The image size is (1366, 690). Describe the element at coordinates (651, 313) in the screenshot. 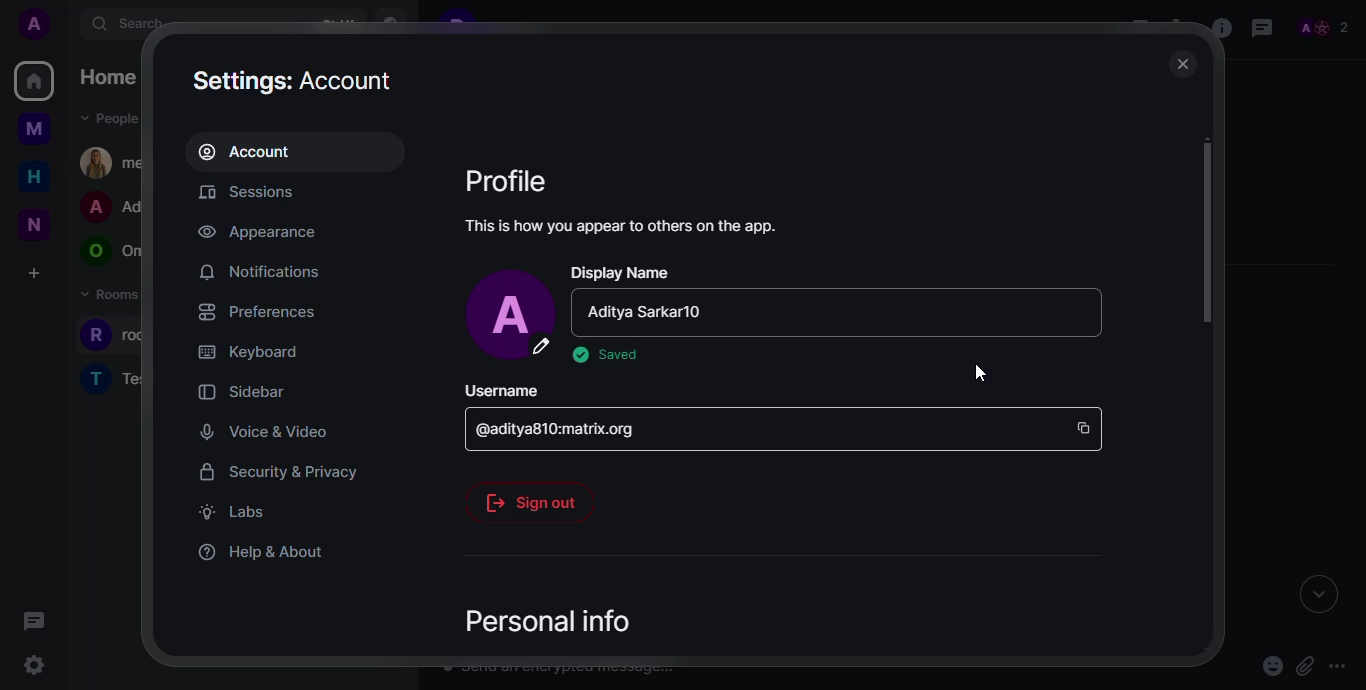

I see `name changed` at that location.